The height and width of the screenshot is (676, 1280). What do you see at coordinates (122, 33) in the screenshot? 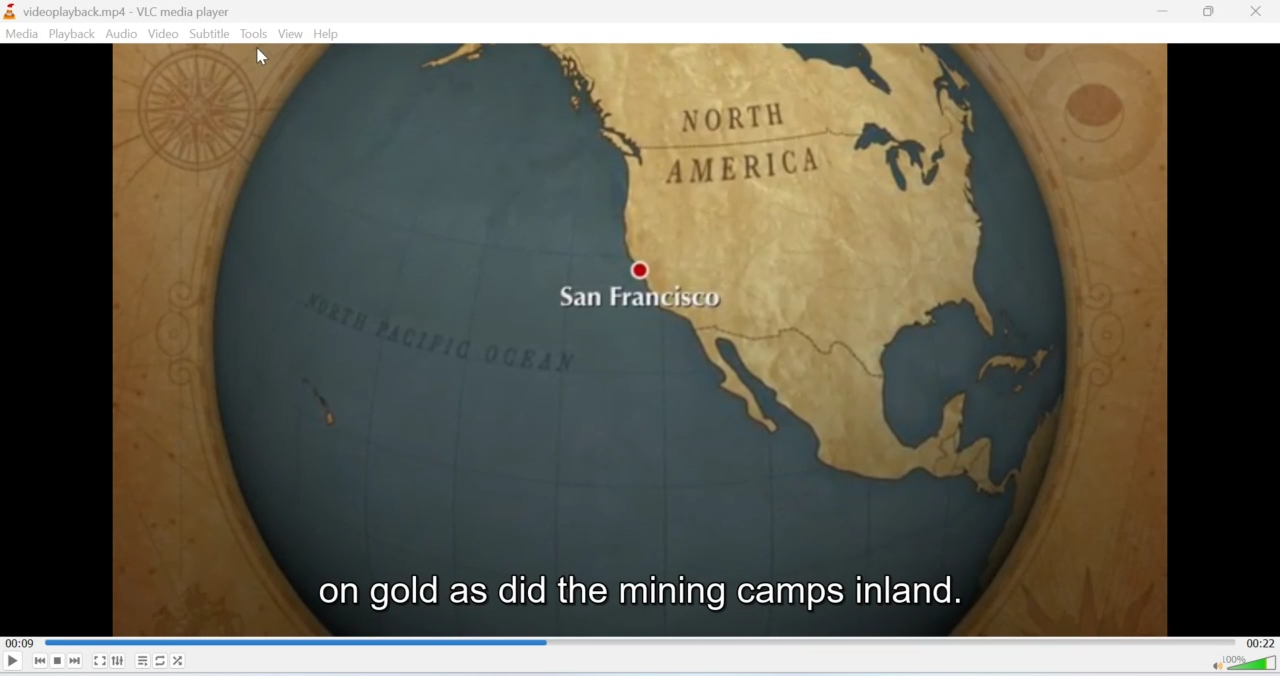
I see `Audio` at bounding box center [122, 33].